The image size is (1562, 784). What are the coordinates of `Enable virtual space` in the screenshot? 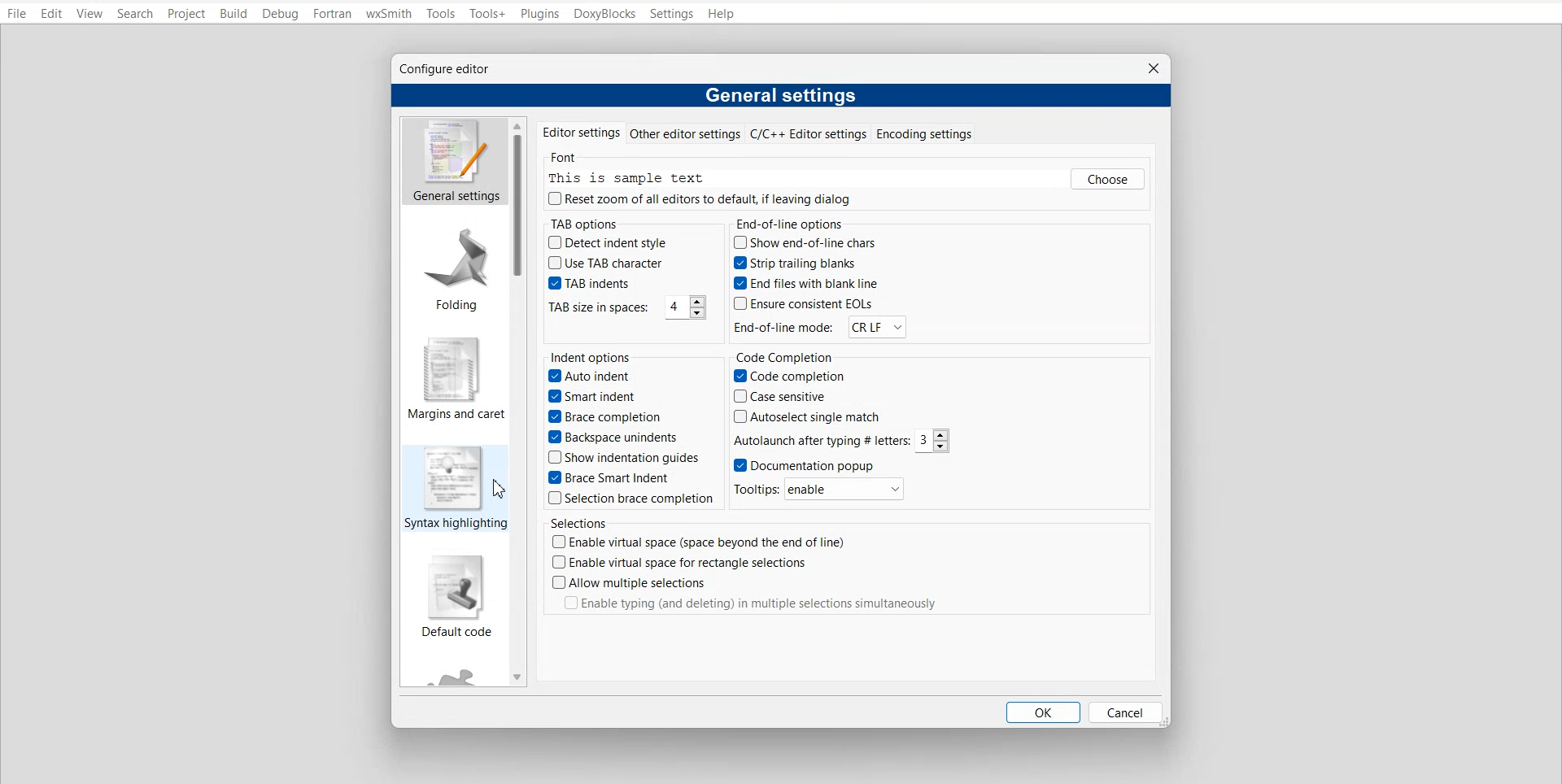 It's located at (698, 542).